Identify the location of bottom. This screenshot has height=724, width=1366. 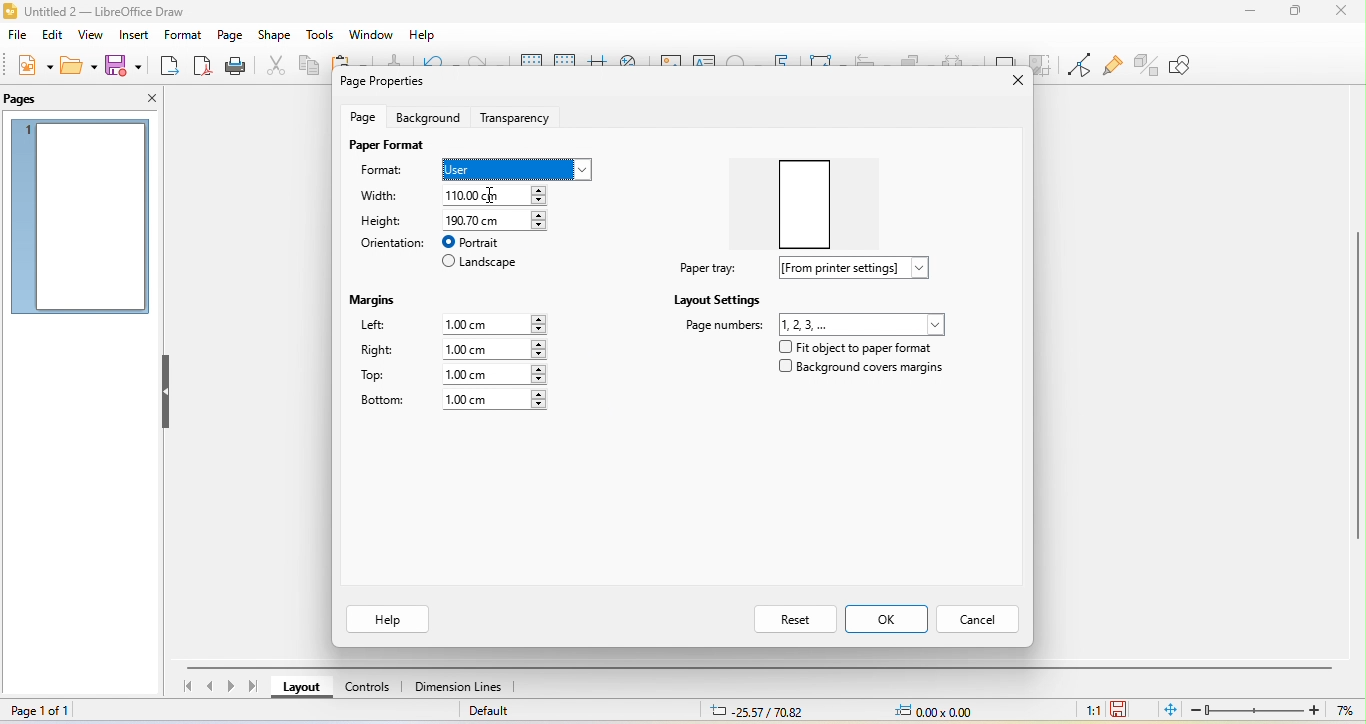
(382, 401).